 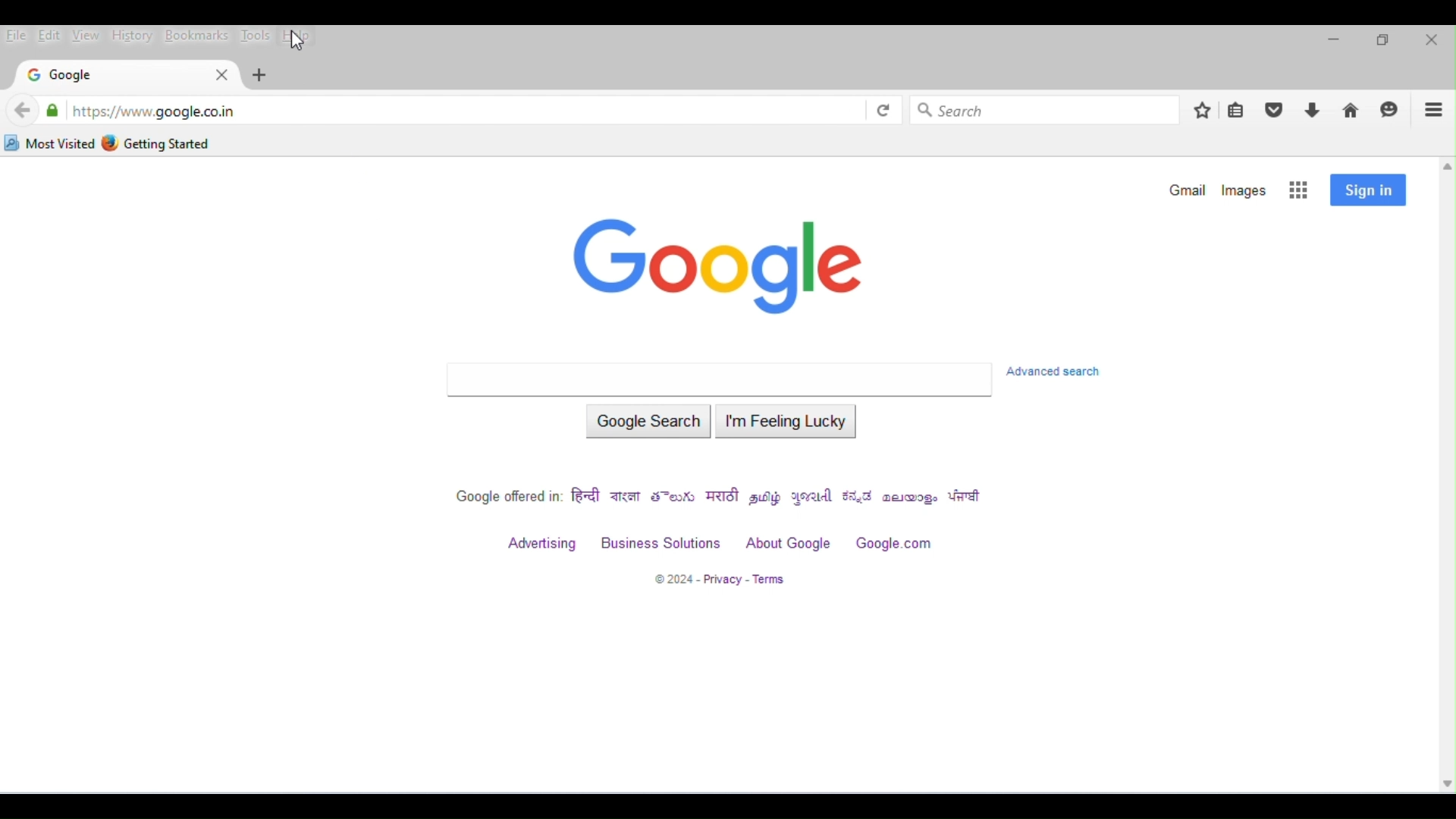 I want to click on i am feeling lucky, so click(x=789, y=425).